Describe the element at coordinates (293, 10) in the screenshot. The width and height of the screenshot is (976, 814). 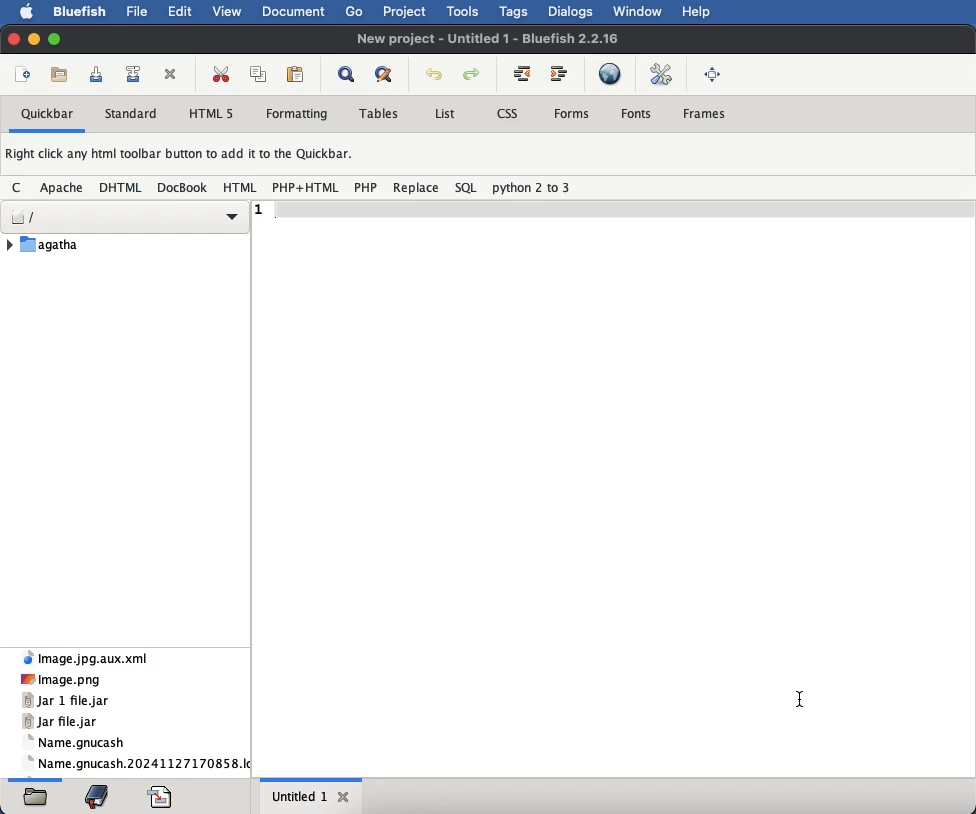
I see `document` at that location.